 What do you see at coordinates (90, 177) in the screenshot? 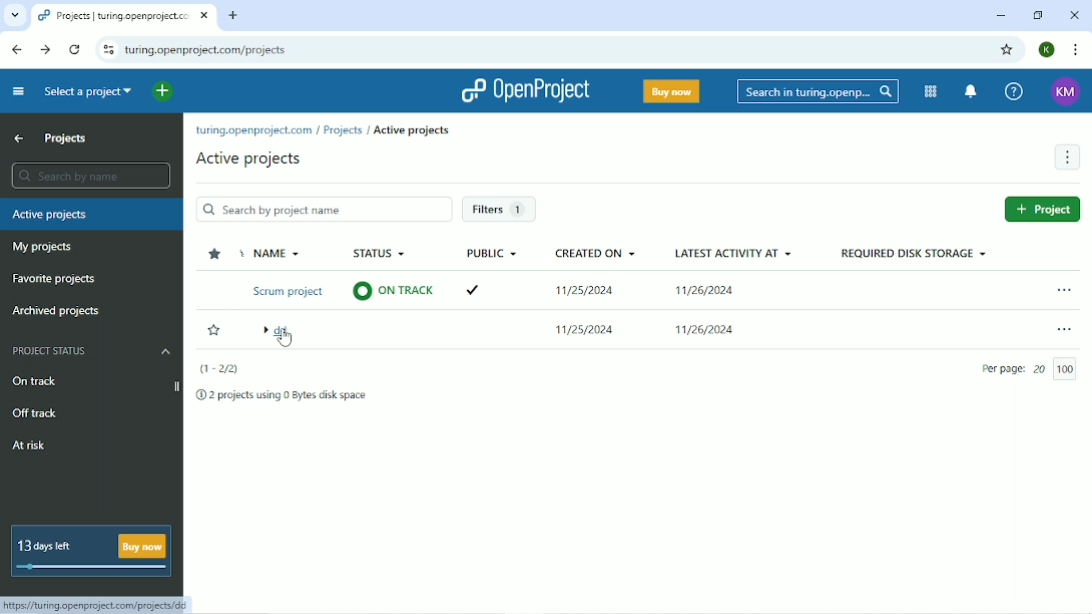
I see `Search by name` at bounding box center [90, 177].